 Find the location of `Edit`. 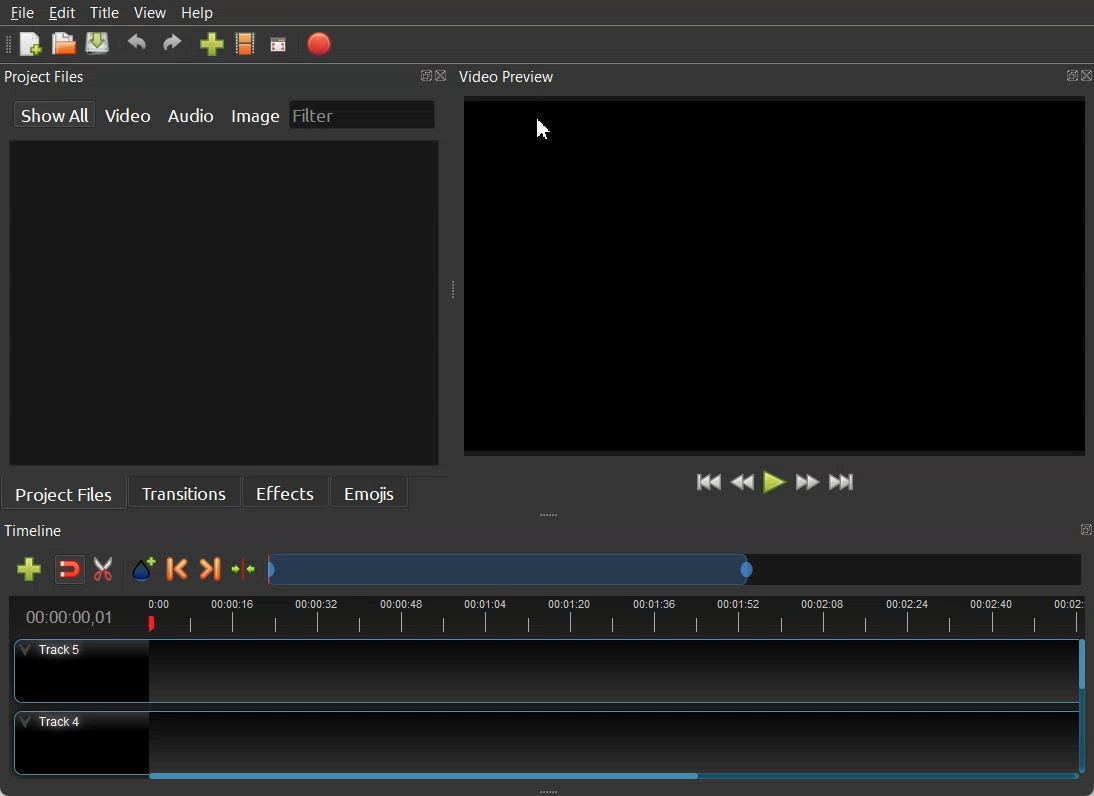

Edit is located at coordinates (63, 11).